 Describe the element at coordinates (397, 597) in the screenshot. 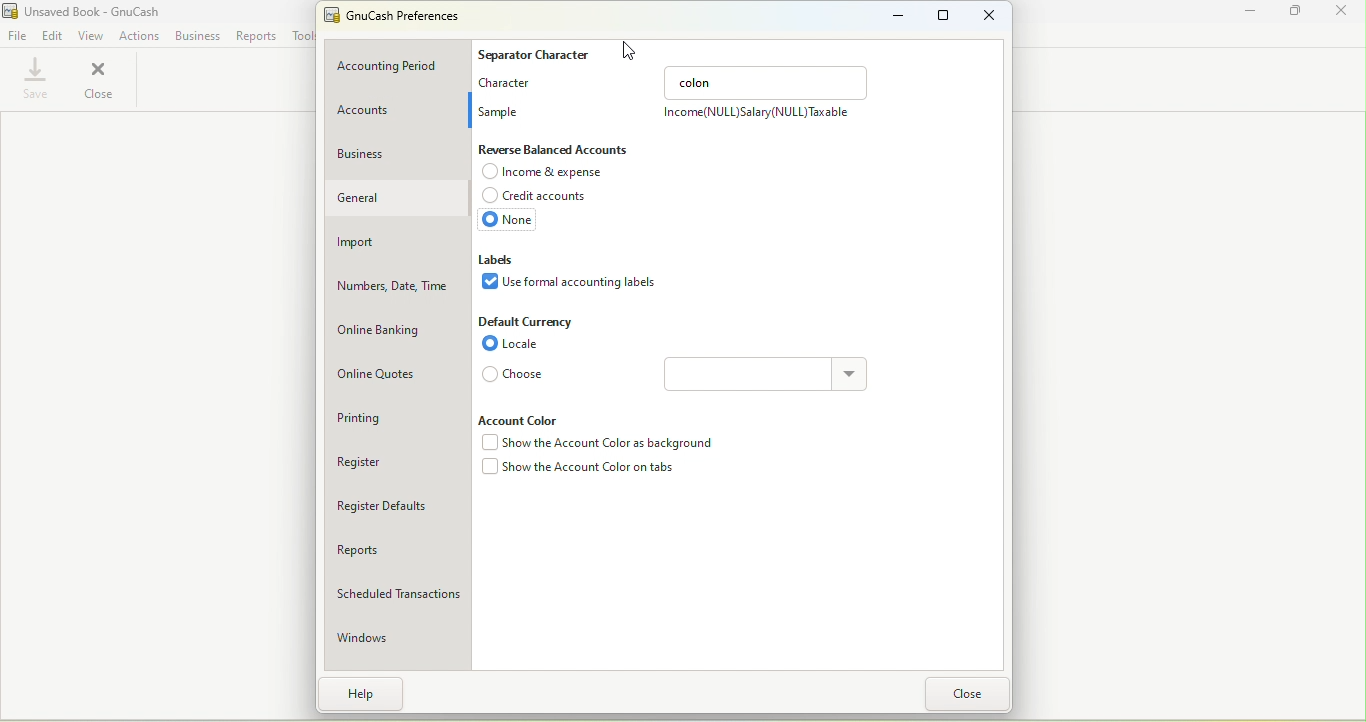

I see `Scheduled transactions` at that location.